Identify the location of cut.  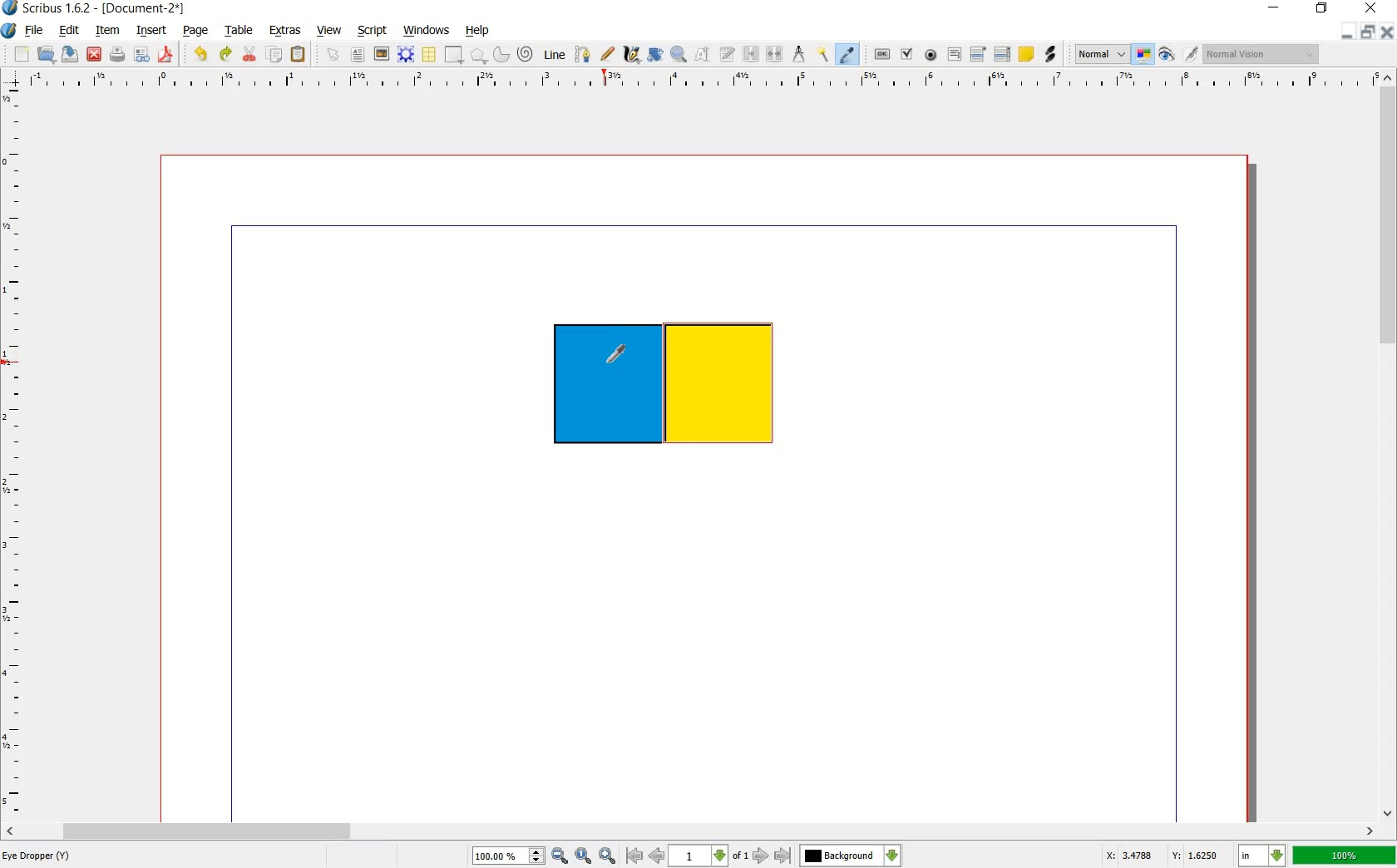
(249, 53).